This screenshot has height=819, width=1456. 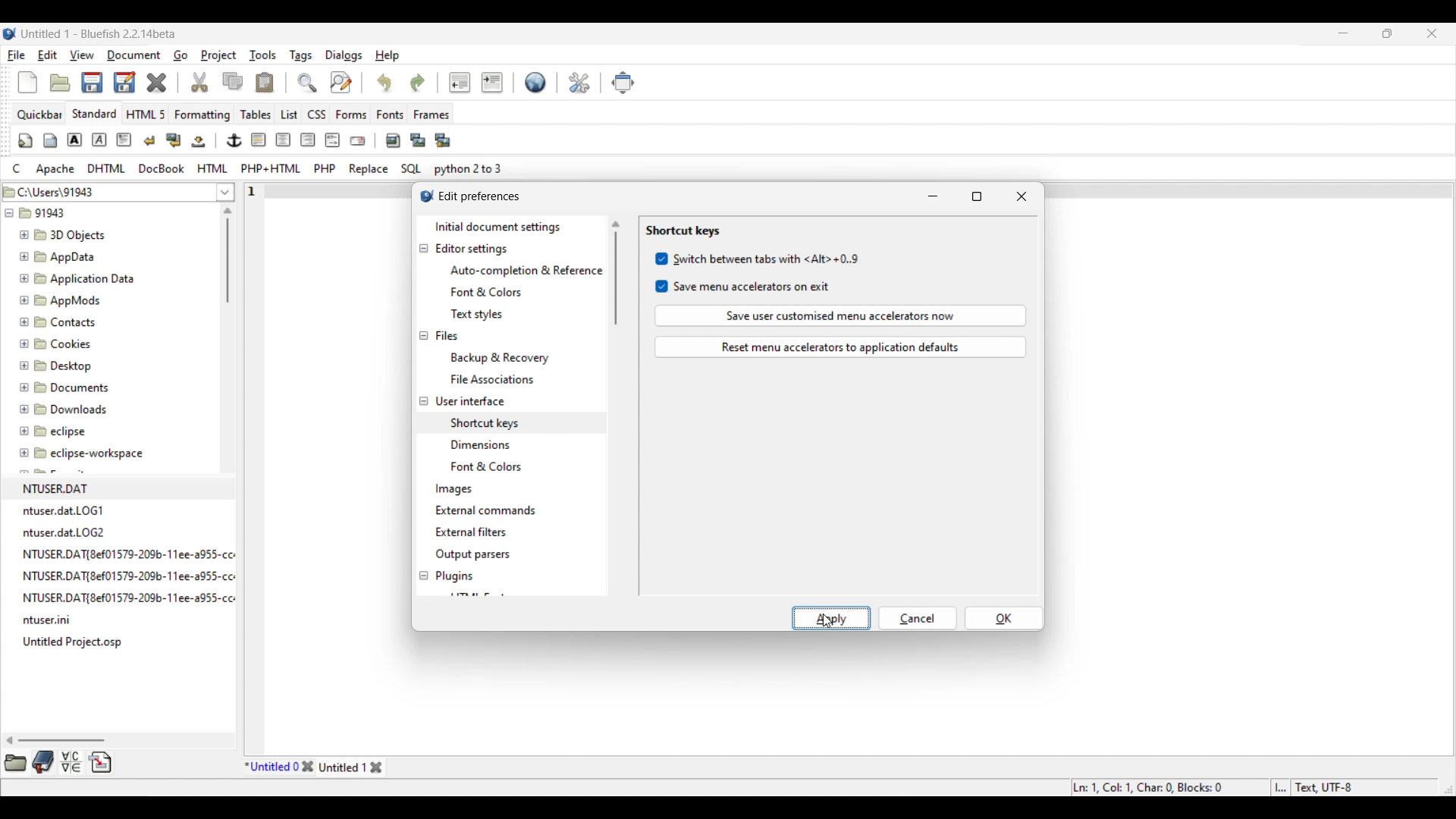 I want to click on Forms, so click(x=351, y=115).